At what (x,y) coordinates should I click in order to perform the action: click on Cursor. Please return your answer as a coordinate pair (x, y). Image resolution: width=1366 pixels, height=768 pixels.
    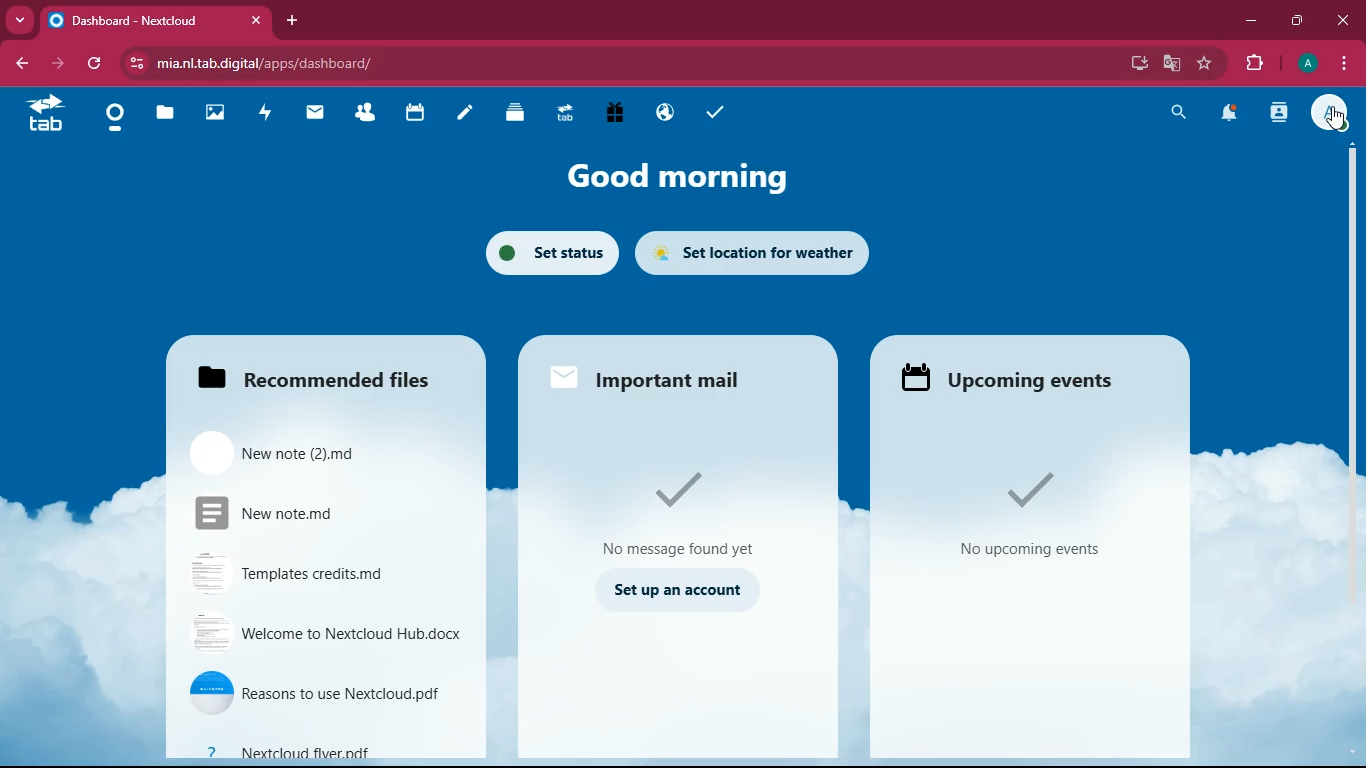
    Looking at the image, I should click on (1336, 121).